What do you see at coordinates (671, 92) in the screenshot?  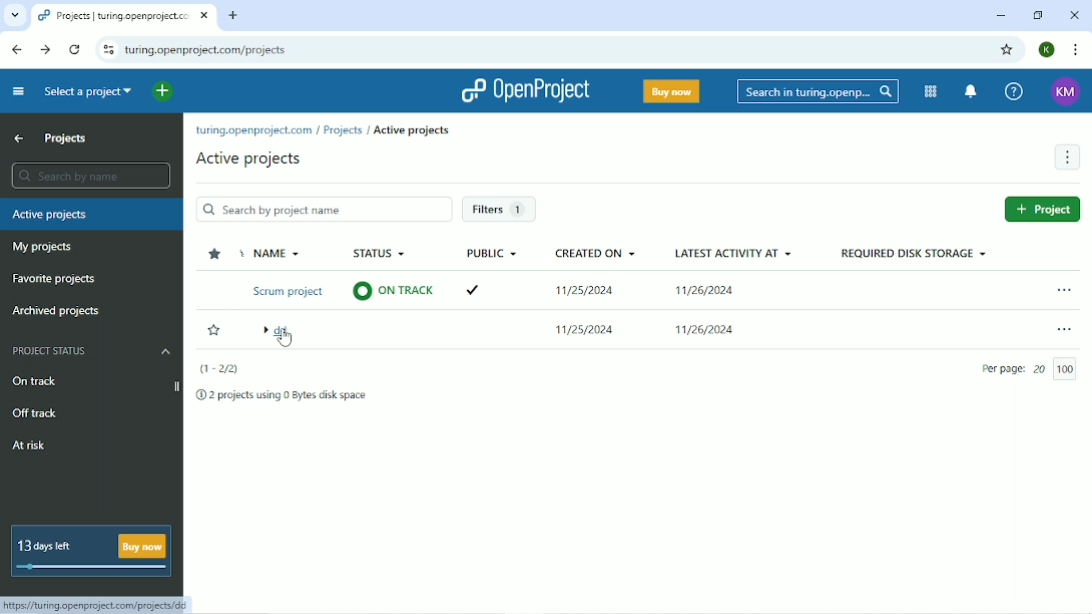 I see `Buy now` at bounding box center [671, 92].